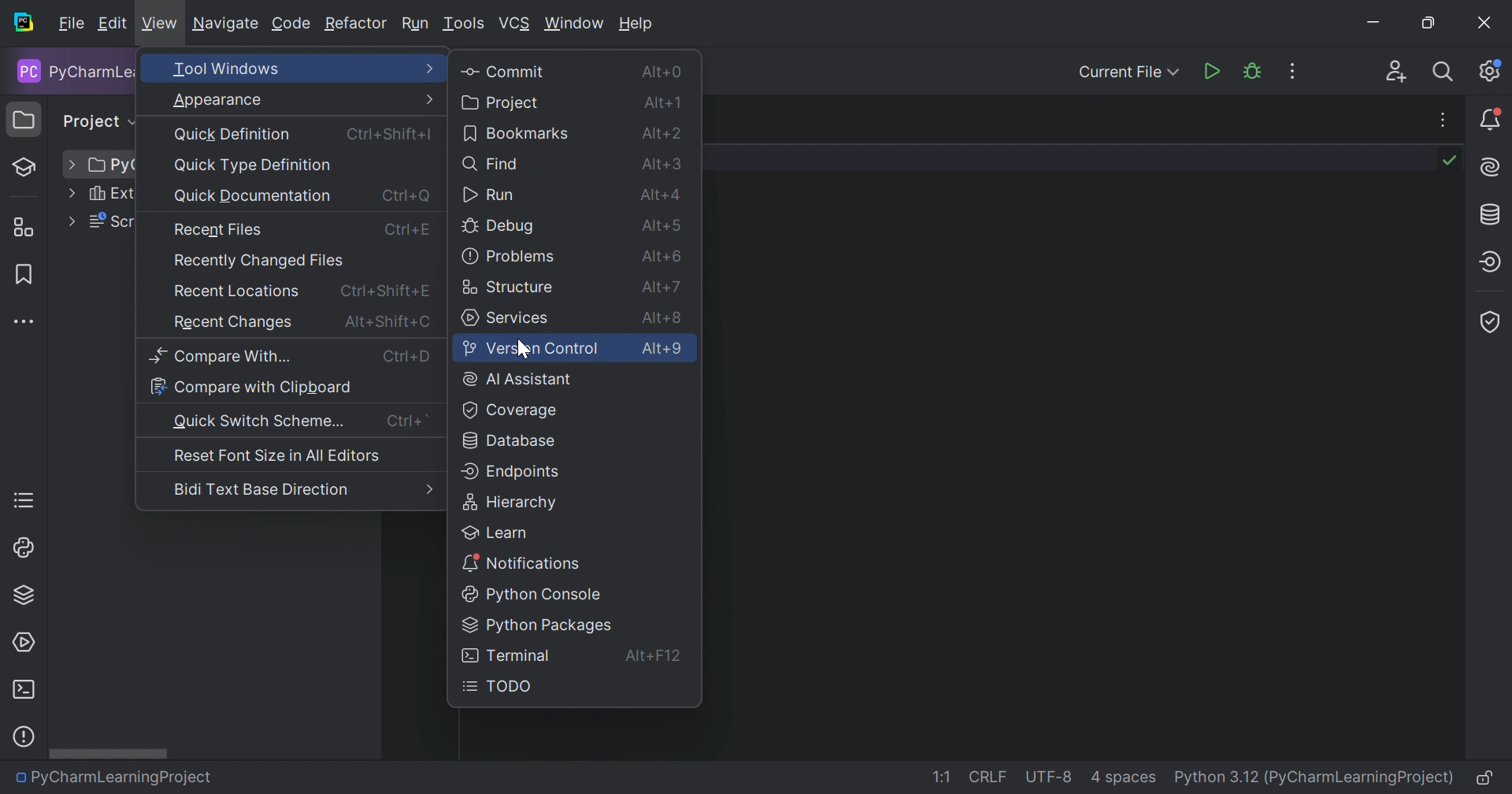 The image size is (1512, 794). What do you see at coordinates (109, 194) in the screenshot?
I see `Ex` at bounding box center [109, 194].